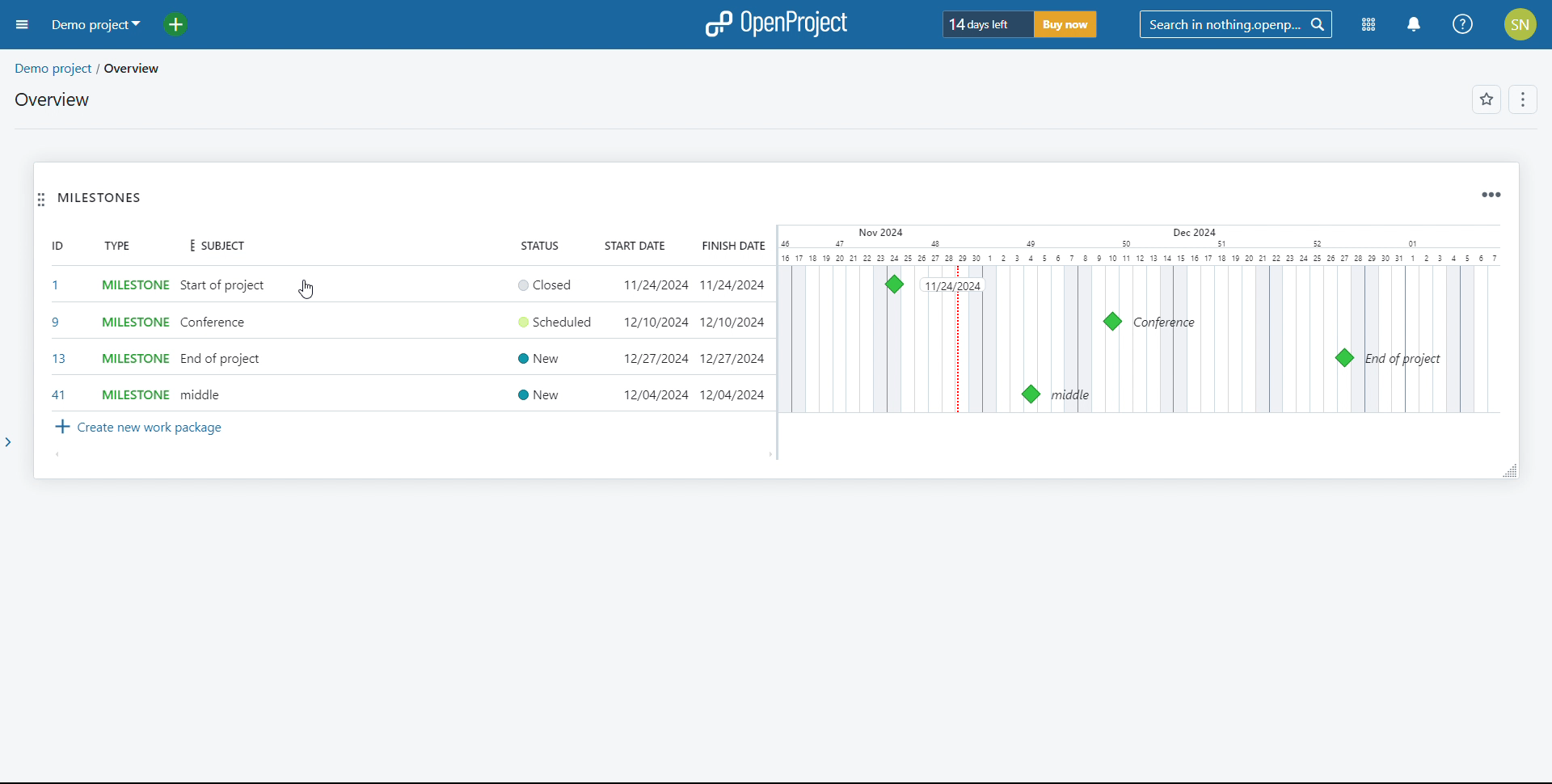  I want to click on calendar view, so click(1144, 320).